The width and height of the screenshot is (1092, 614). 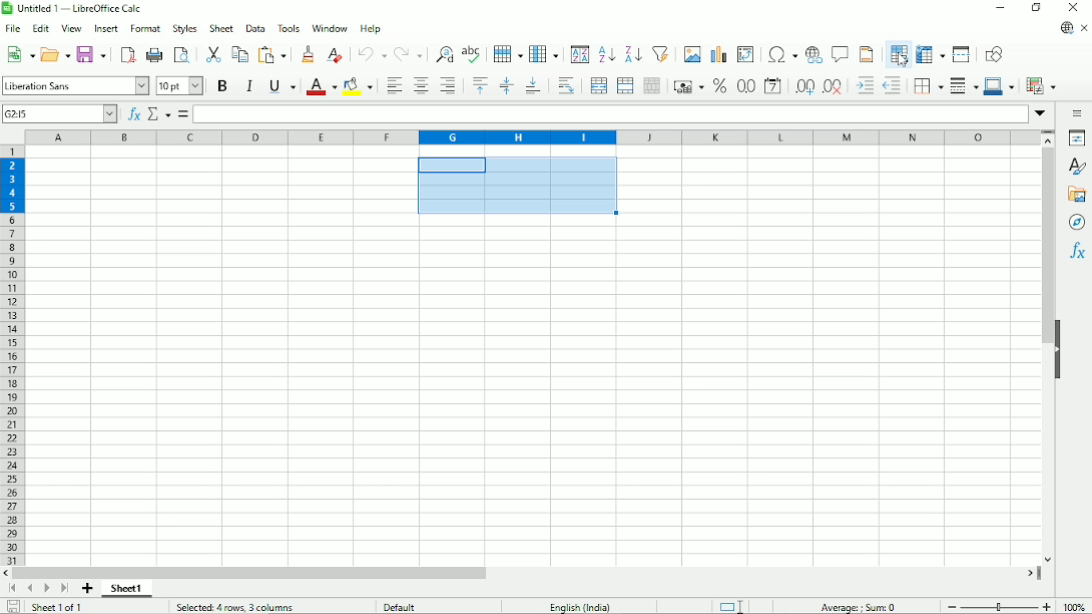 I want to click on Underline, so click(x=281, y=85).